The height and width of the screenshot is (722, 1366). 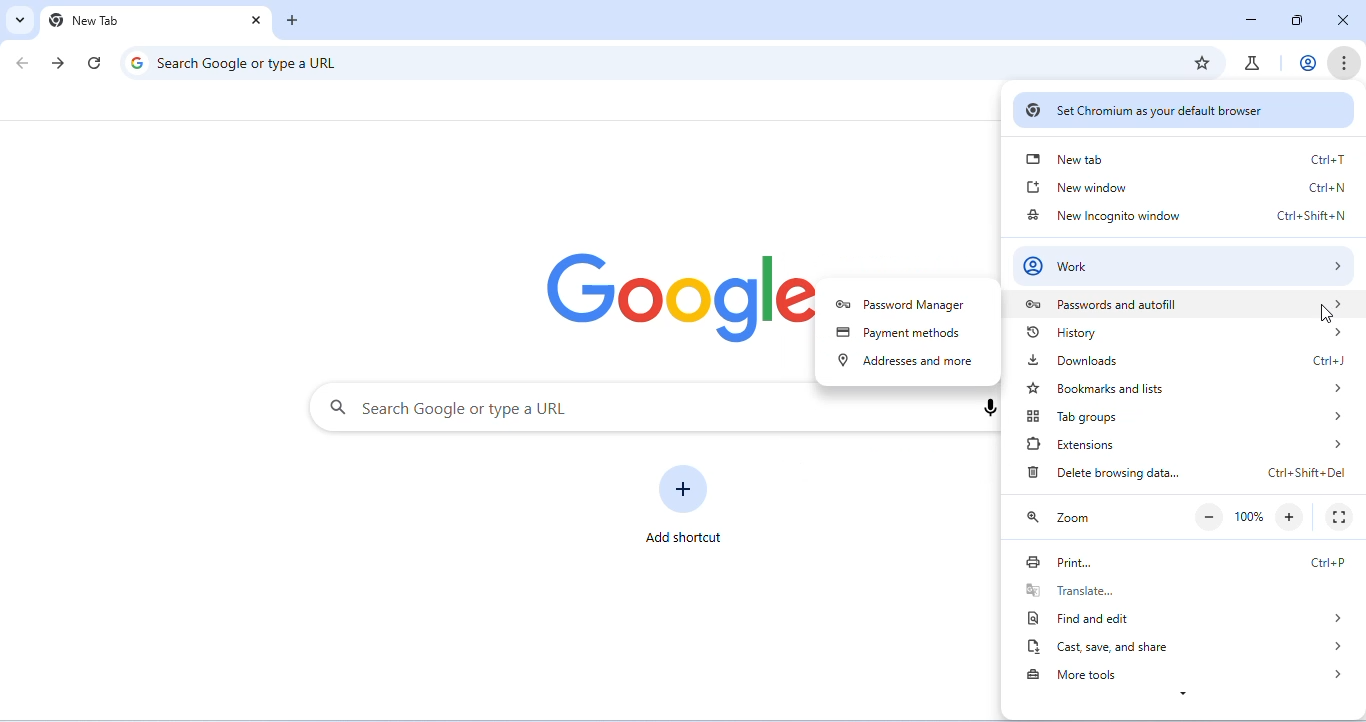 I want to click on cursor, so click(x=1325, y=313).